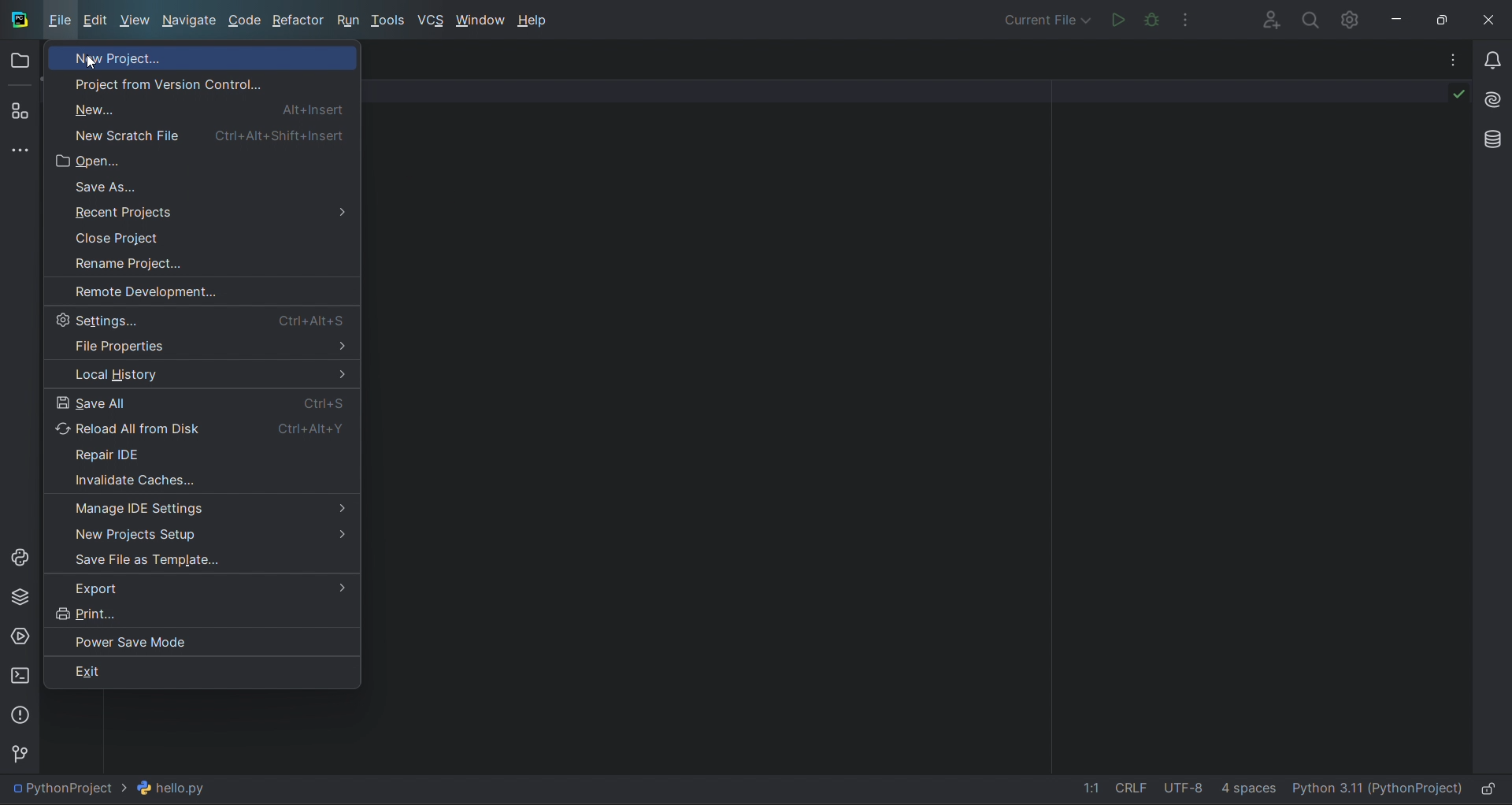  What do you see at coordinates (299, 20) in the screenshot?
I see `refactor` at bounding box center [299, 20].